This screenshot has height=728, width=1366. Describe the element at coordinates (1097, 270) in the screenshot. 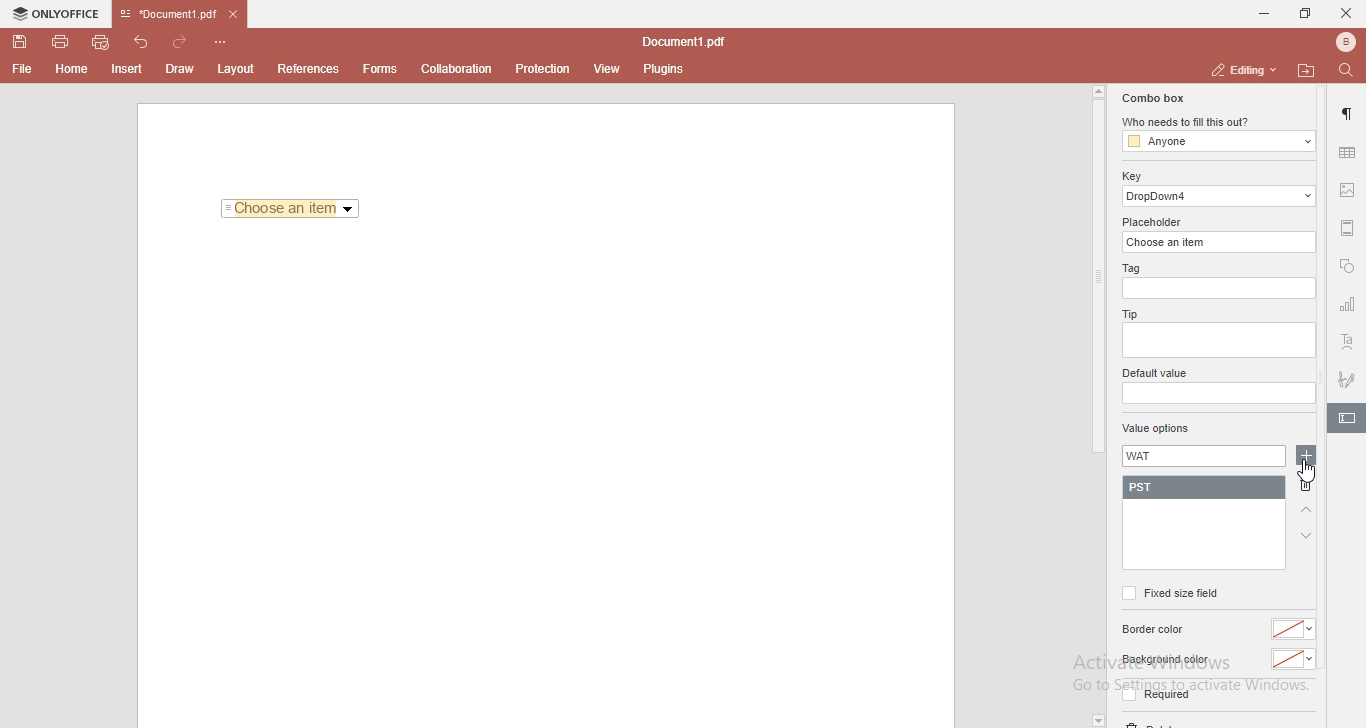

I see `scroll bar` at that location.